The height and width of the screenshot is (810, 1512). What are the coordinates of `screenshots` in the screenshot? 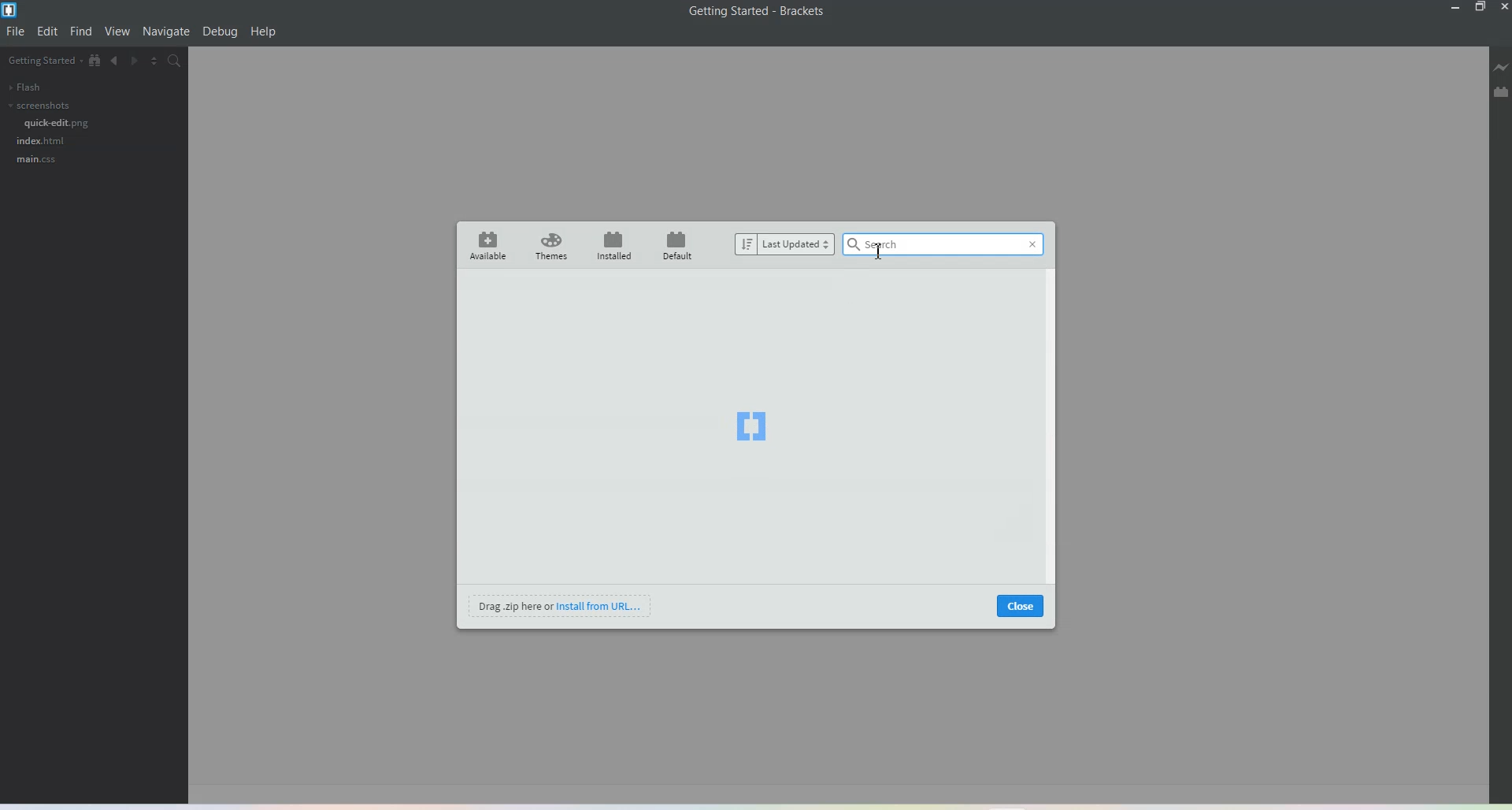 It's located at (38, 106).